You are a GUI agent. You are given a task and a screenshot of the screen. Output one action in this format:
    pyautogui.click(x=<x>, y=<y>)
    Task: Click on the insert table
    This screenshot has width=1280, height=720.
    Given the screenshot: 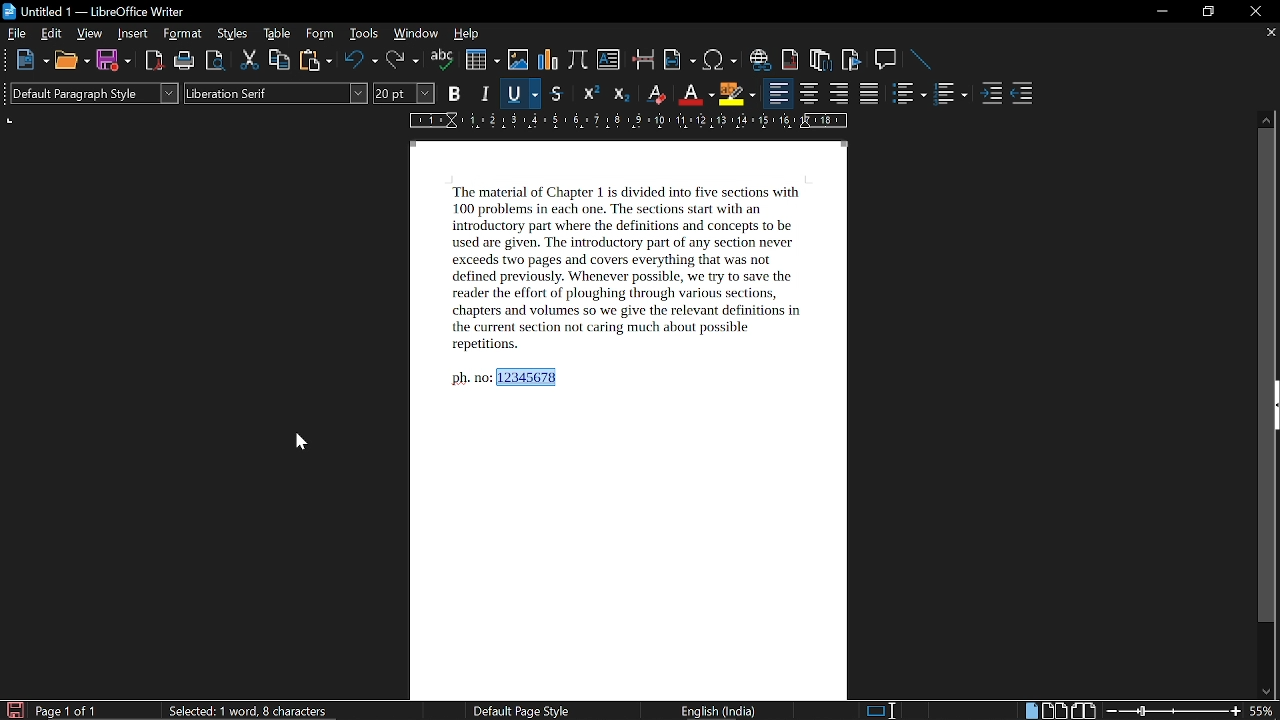 What is the action you would take?
    pyautogui.click(x=481, y=60)
    